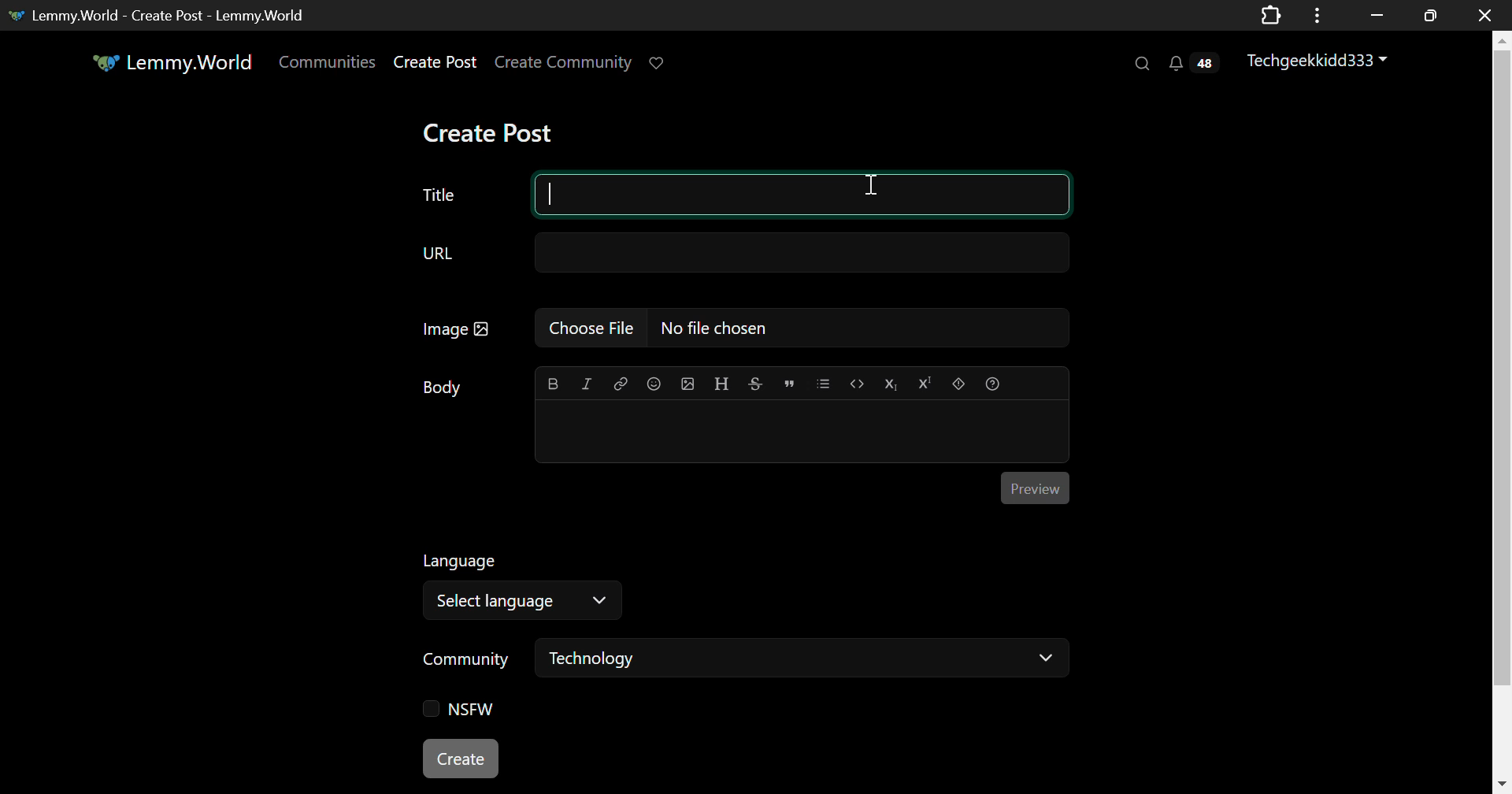 The height and width of the screenshot is (794, 1512). Describe the element at coordinates (855, 383) in the screenshot. I see `code` at that location.